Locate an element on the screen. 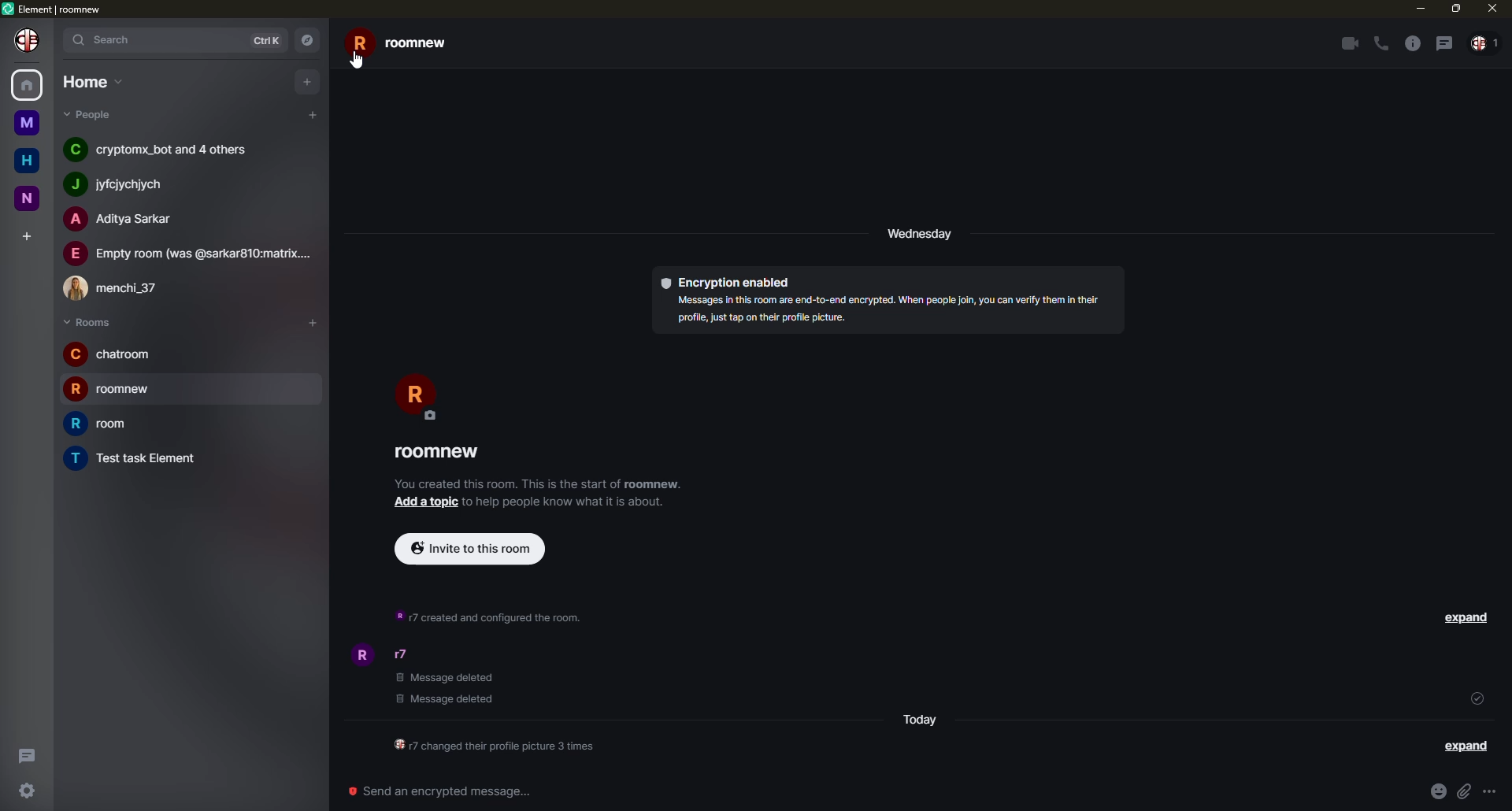  configured the room is located at coordinates (491, 747).